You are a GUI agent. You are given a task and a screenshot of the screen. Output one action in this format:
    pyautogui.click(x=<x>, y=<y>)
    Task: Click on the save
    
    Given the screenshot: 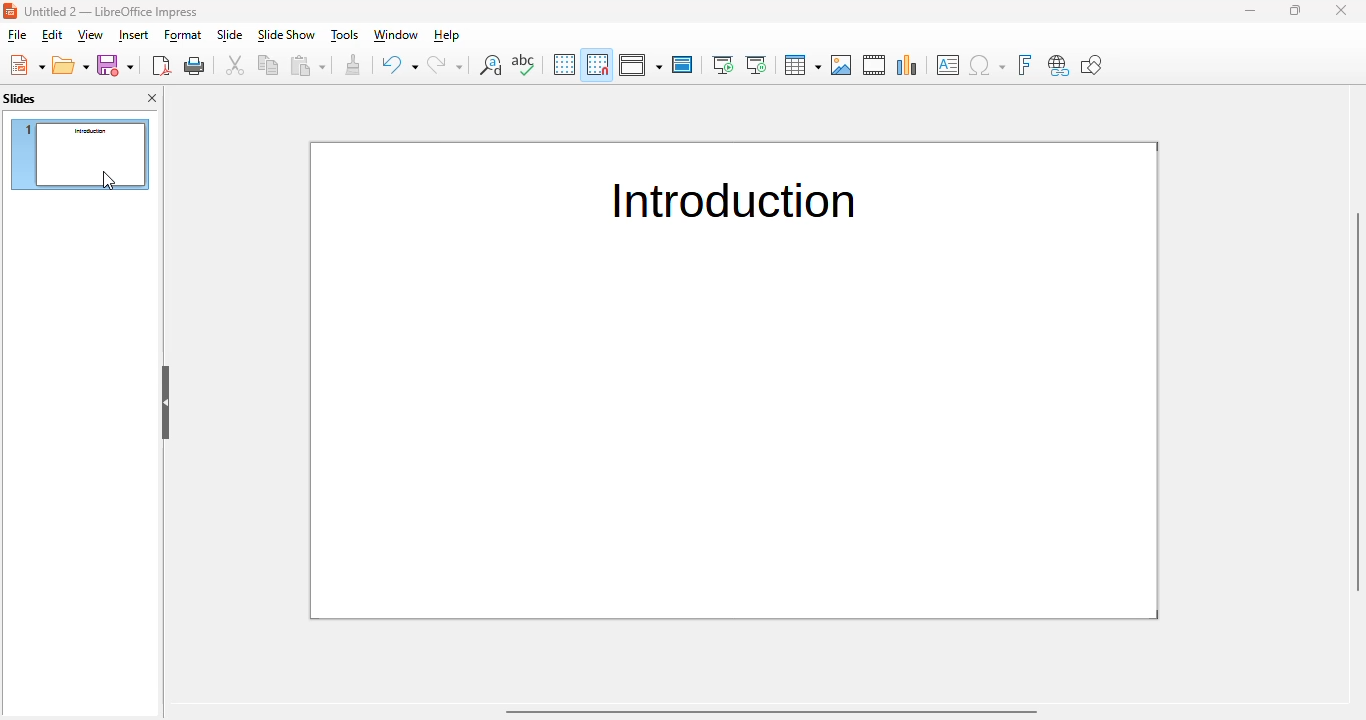 What is the action you would take?
    pyautogui.click(x=115, y=65)
    